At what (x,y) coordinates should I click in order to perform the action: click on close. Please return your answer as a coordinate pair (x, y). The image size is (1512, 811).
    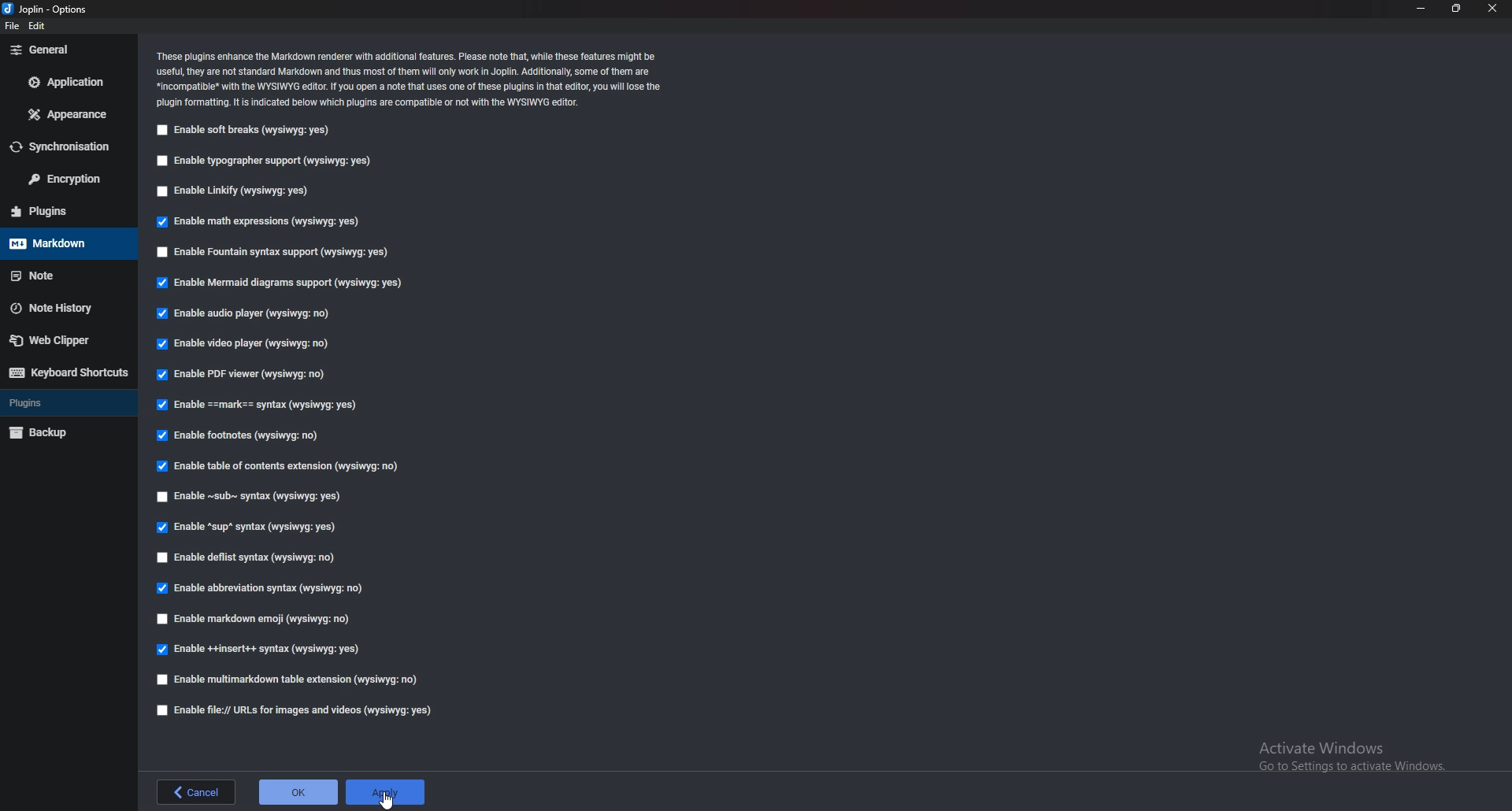
    Looking at the image, I should click on (1493, 9).